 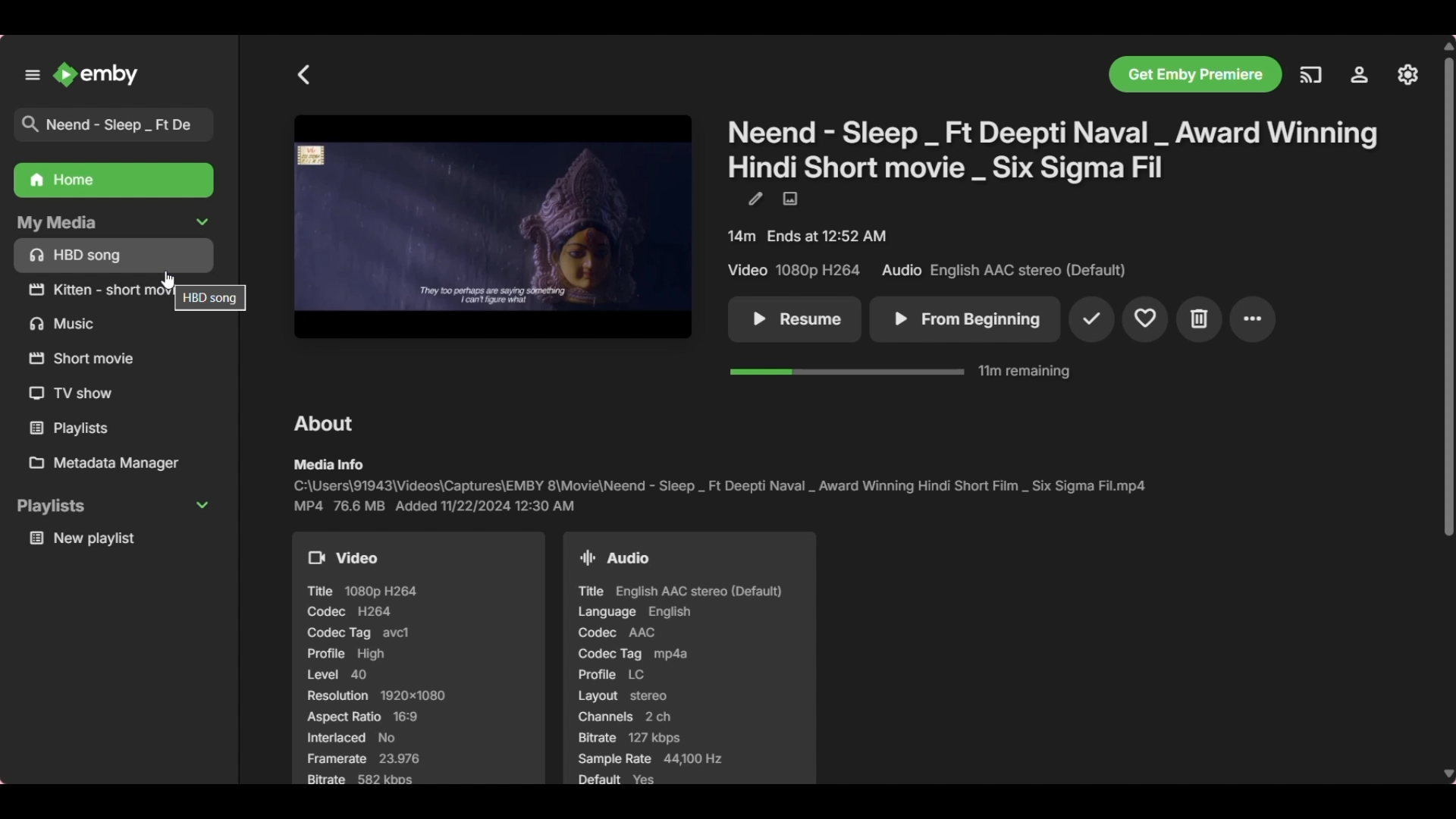 I want to click on Edit metadata, so click(x=755, y=199).